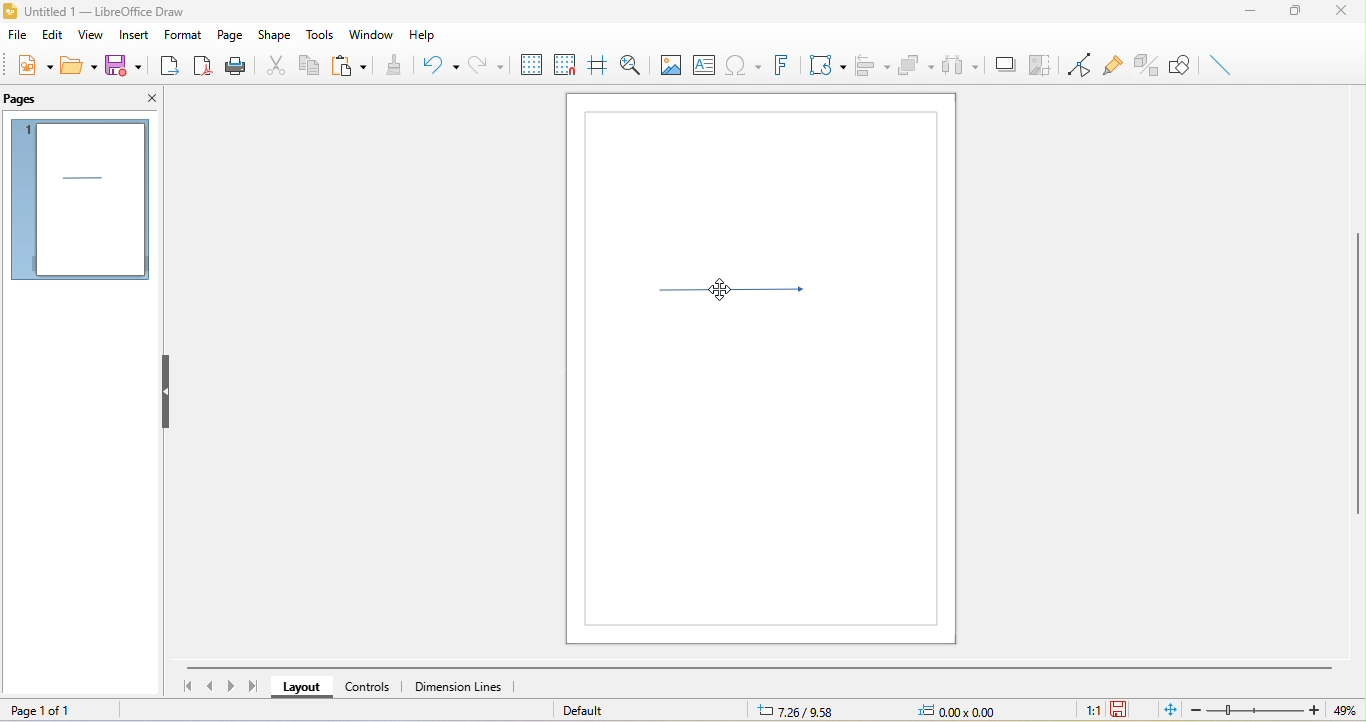 This screenshot has width=1366, height=722. What do you see at coordinates (94, 12) in the screenshot?
I see `title` at bounding box center [94, 12].